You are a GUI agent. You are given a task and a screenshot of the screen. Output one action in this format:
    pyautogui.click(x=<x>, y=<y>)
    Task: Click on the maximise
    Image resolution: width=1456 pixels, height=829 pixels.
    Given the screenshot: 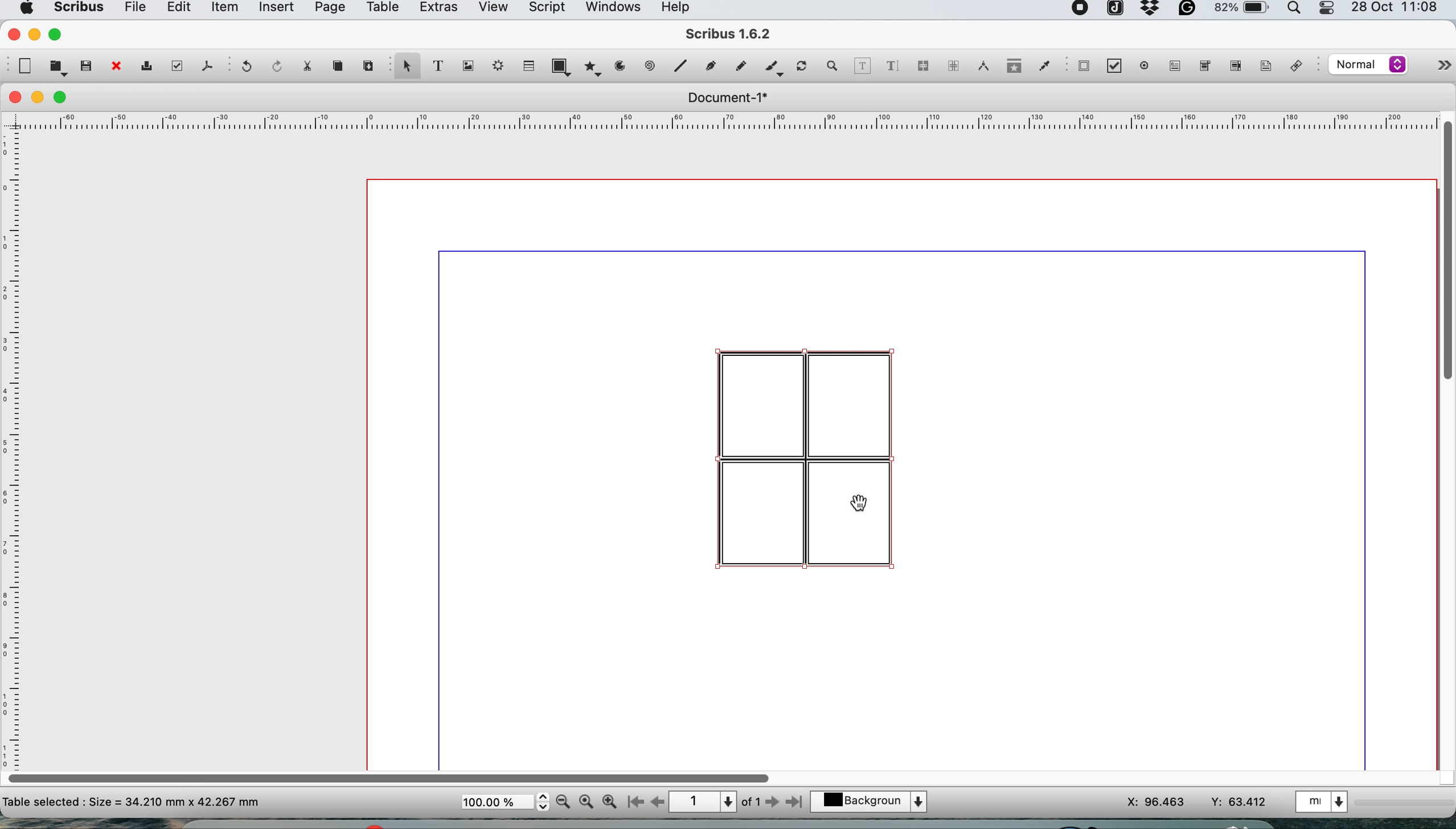 What is the action you would take?
    pyautogui.click(x=59, y=34)
    